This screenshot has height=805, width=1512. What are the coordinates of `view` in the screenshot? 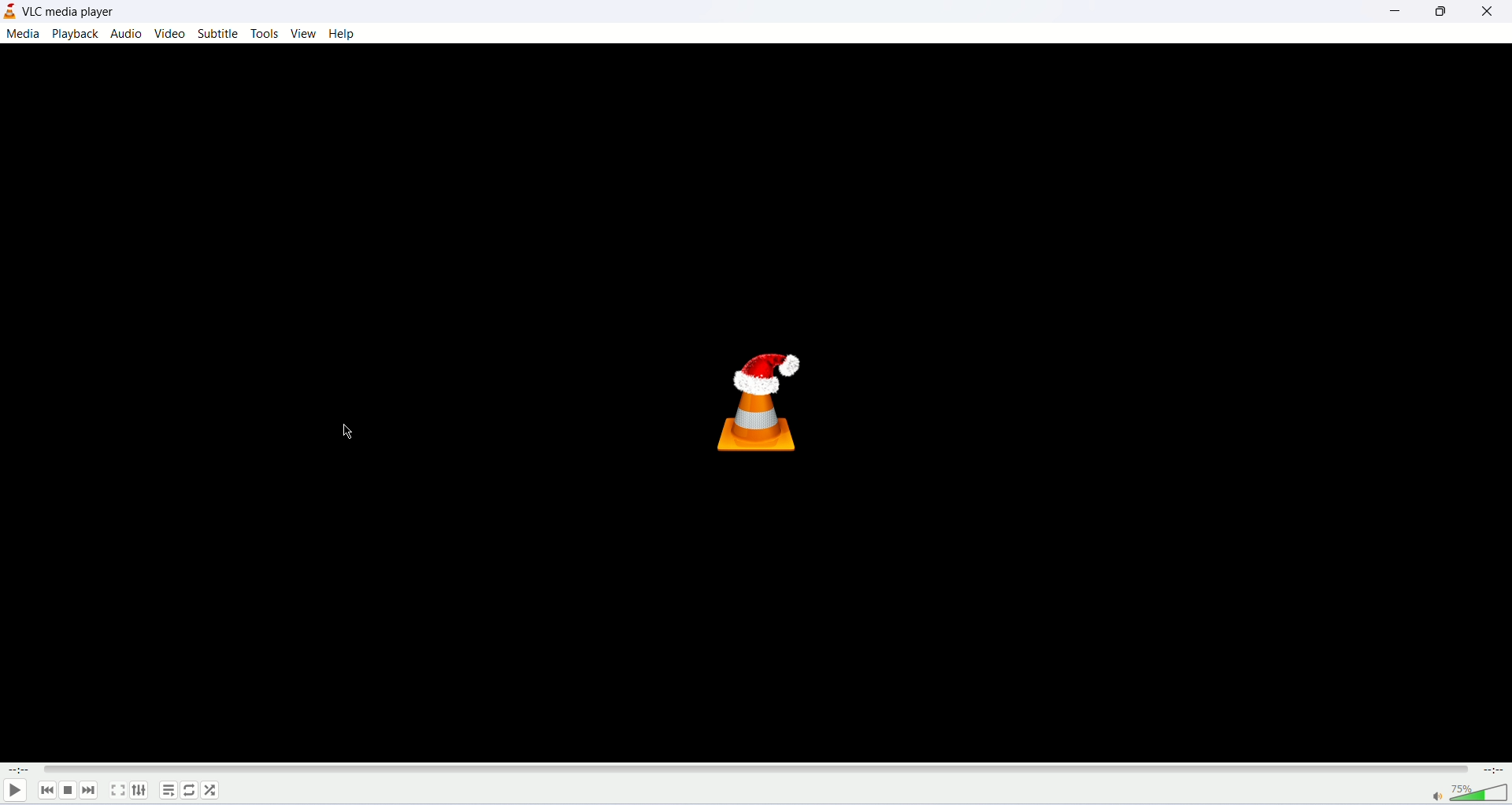 It's located at (302, 32).